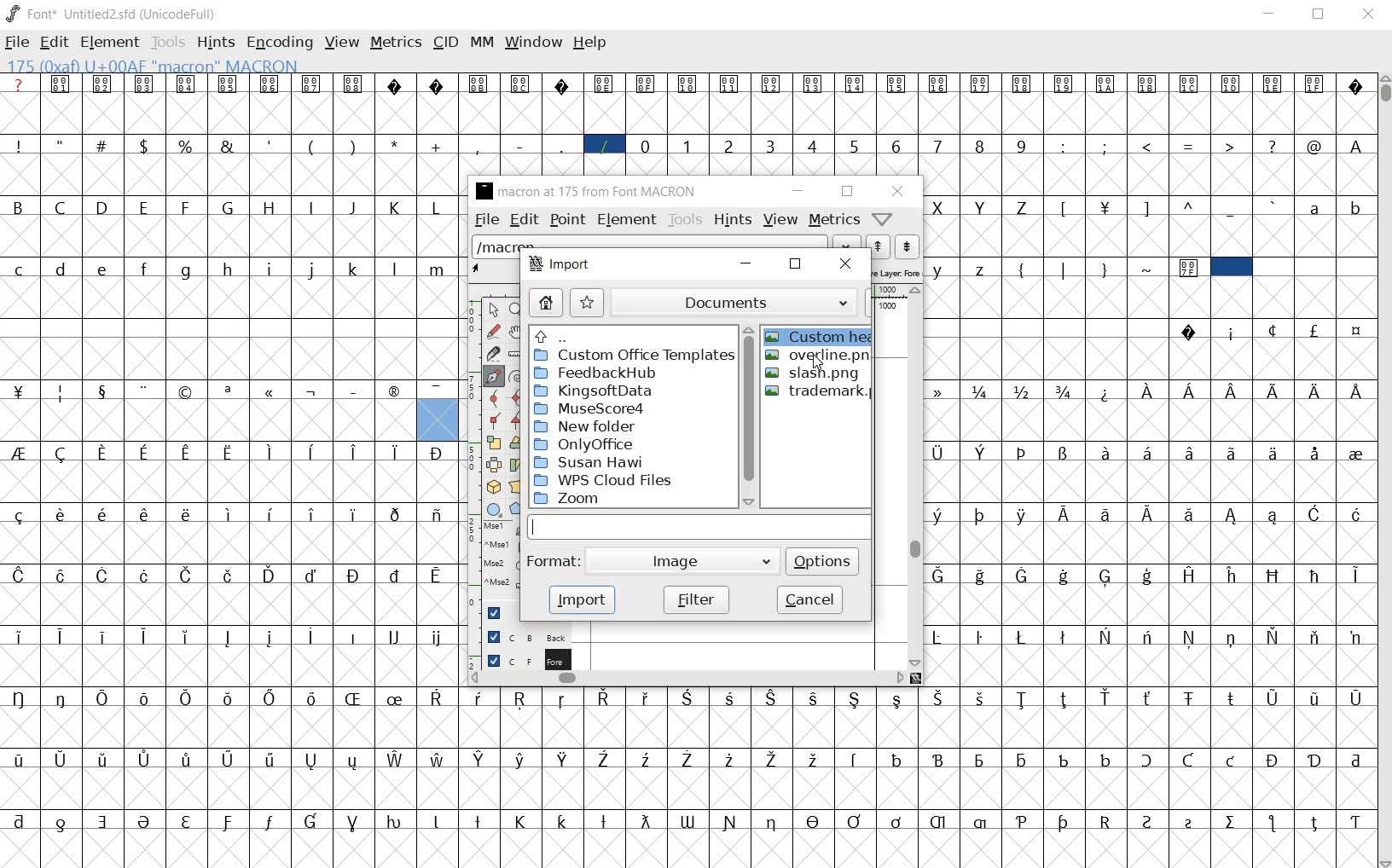 The height and width of the screenshot is (868, 1392). Describe the element at coordinates (1189, 697) in the screenshot. I see `Symbol` at that location.